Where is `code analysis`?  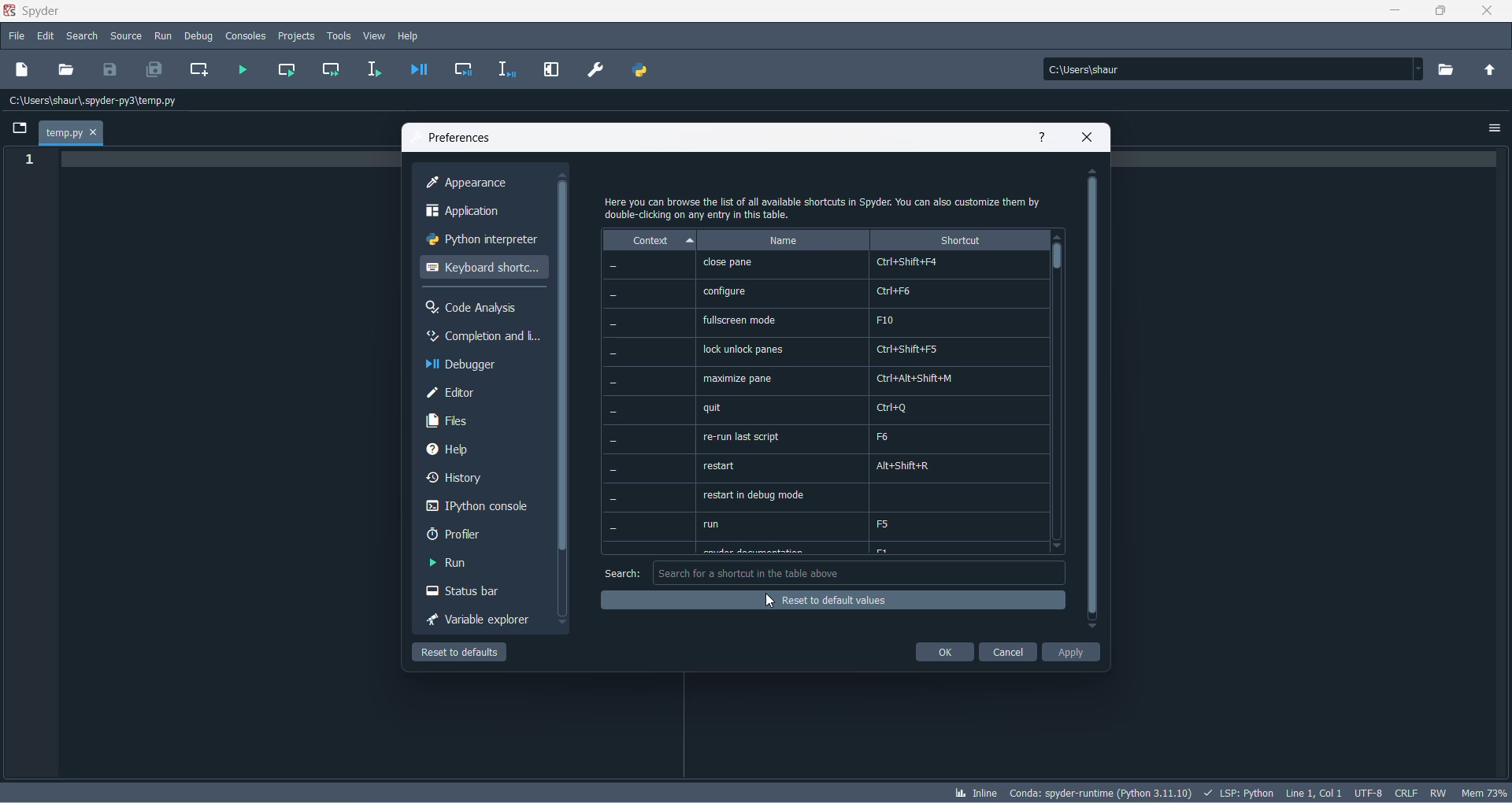 code analysis is located at coordinates (479, 309).